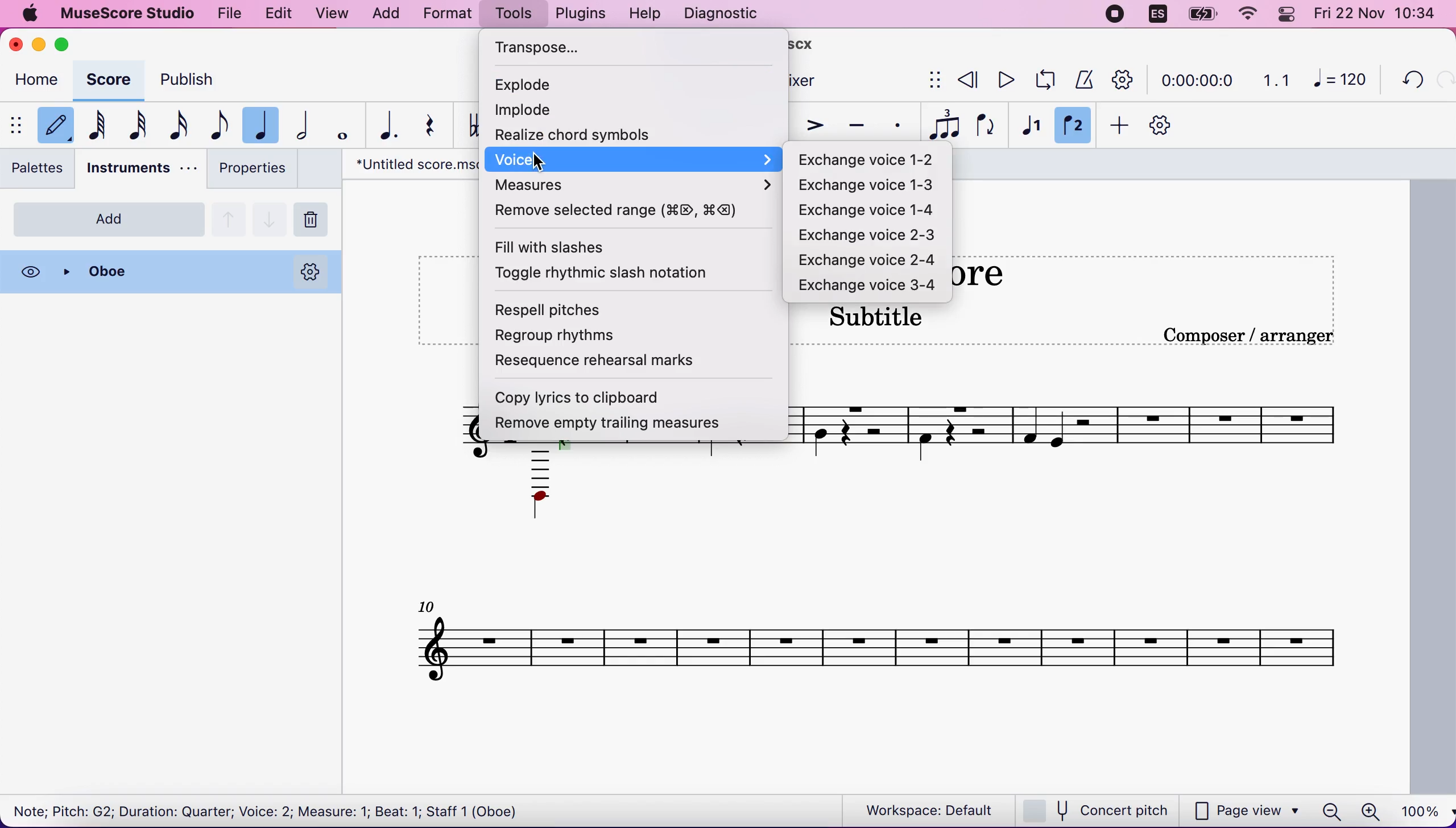 The width and height of the screenshot is (1456, 828). I want to click on exchange voice 2-4, so click(869, 260).